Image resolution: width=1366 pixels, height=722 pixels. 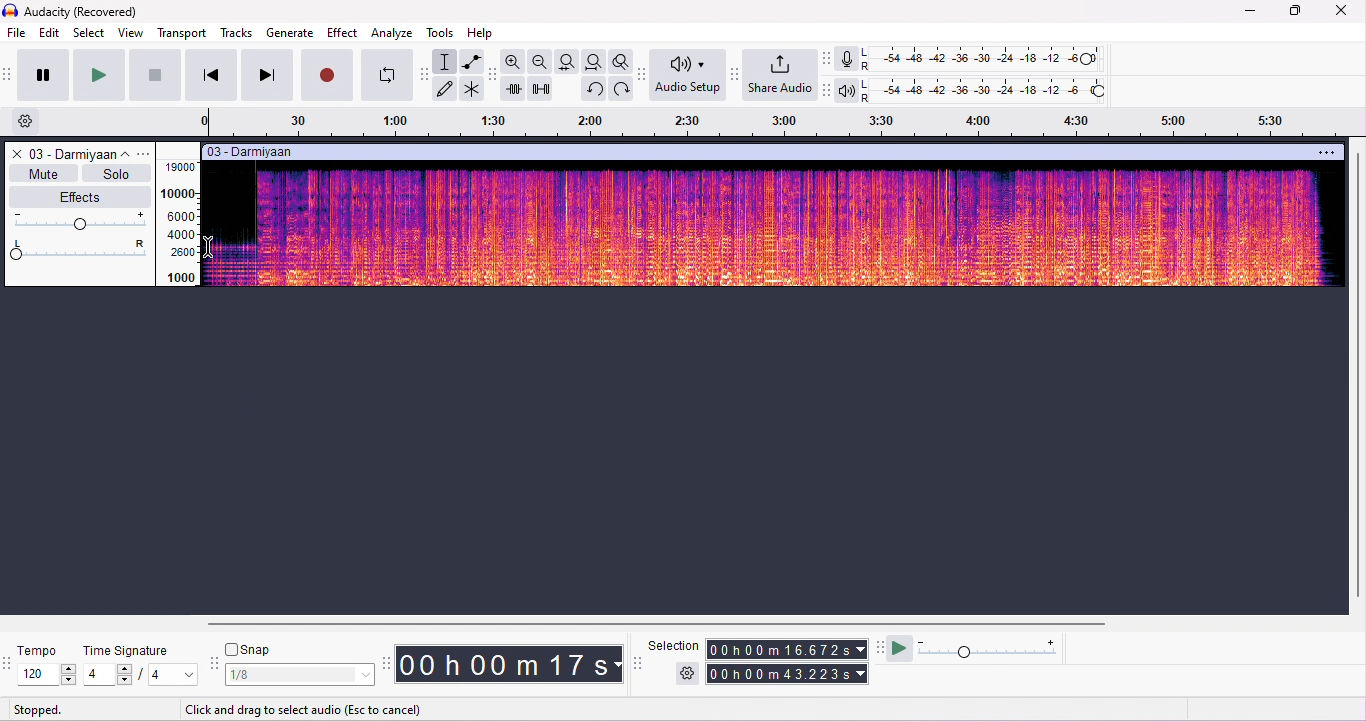 What do you see at coordinates (81, 221) in the screenshot?
I see `volume` at bounding box center [81, 221].